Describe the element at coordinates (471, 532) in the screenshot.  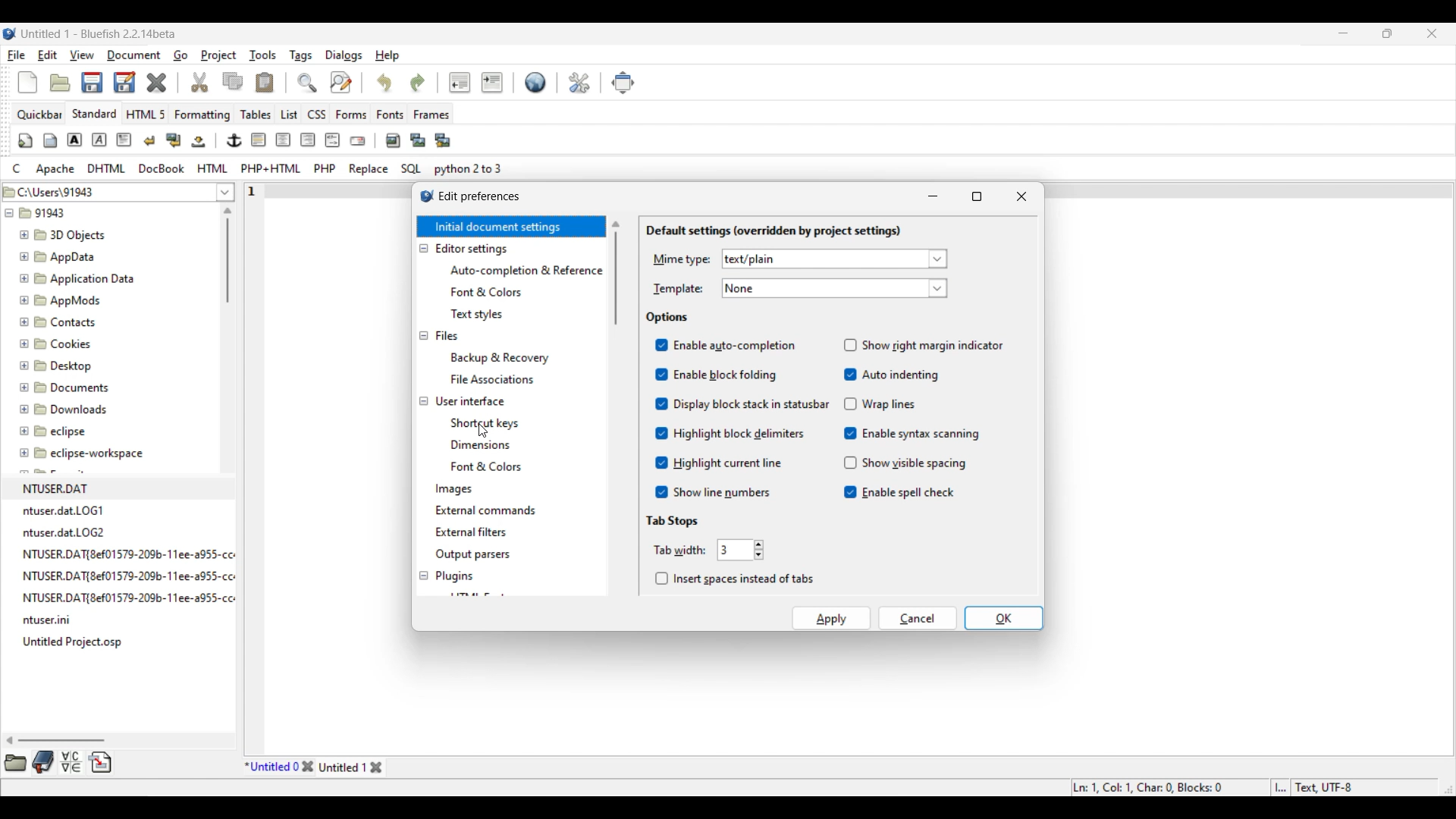
I see `External filters` at that location.